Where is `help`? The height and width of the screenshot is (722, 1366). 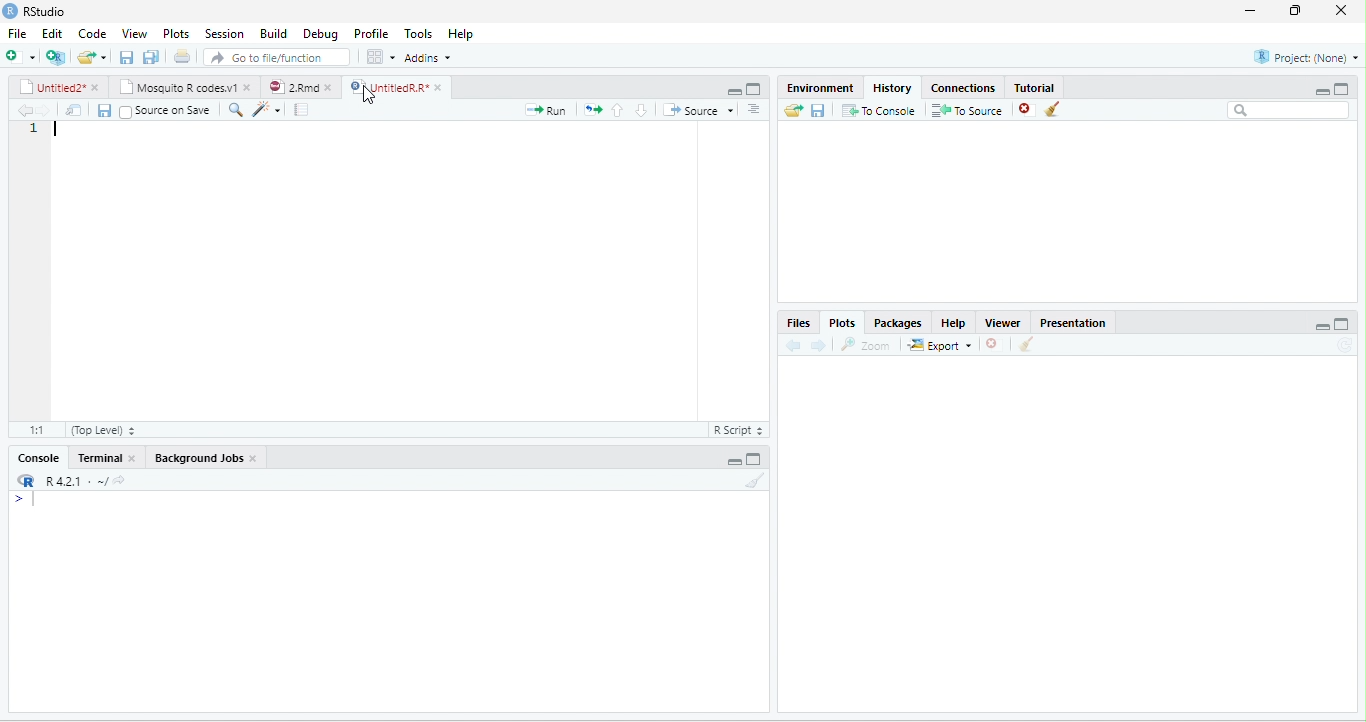
help is located at coordinates (951, 322).